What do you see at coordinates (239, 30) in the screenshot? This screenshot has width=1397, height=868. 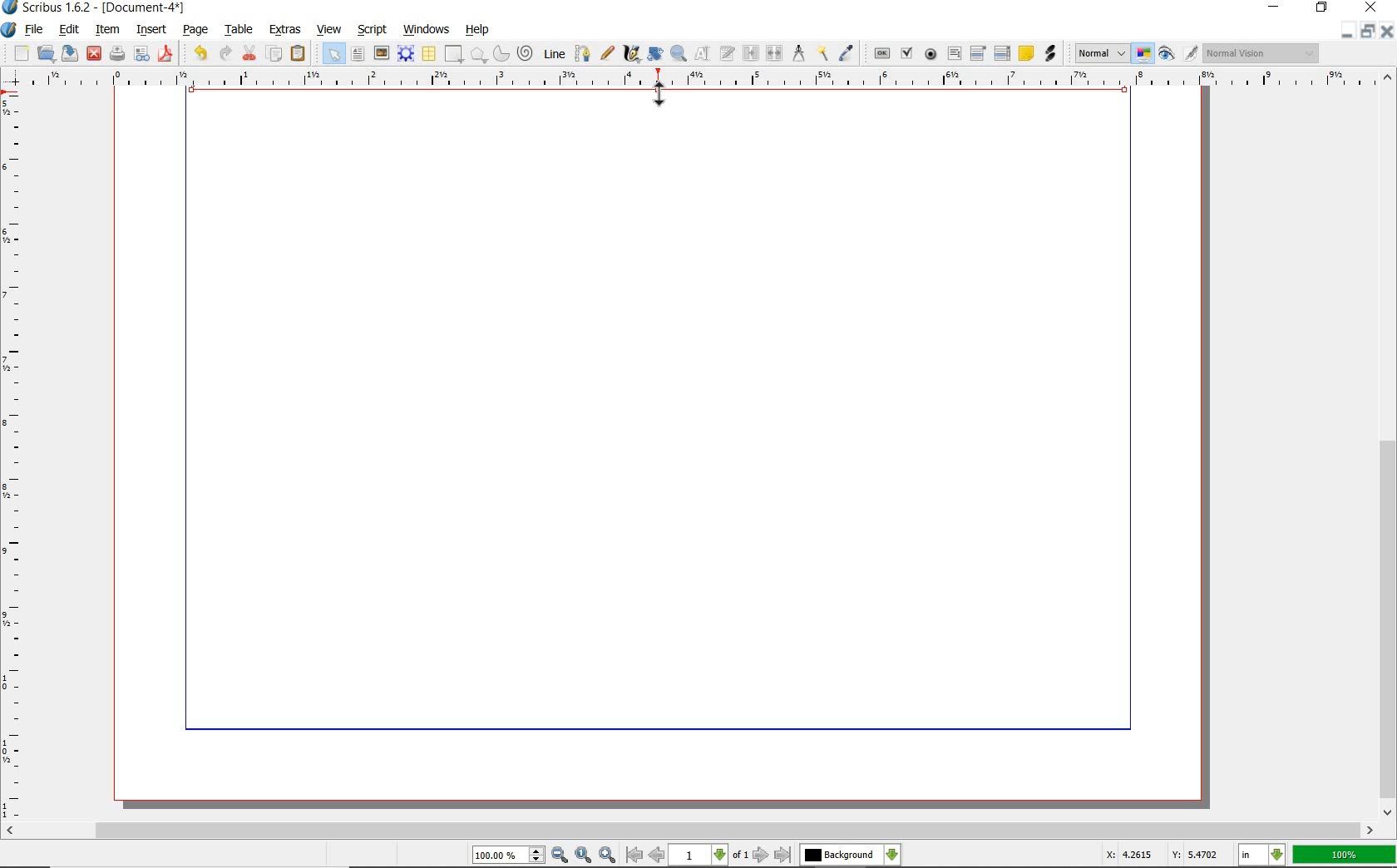 I see `table` at bounding box center [239, 30].